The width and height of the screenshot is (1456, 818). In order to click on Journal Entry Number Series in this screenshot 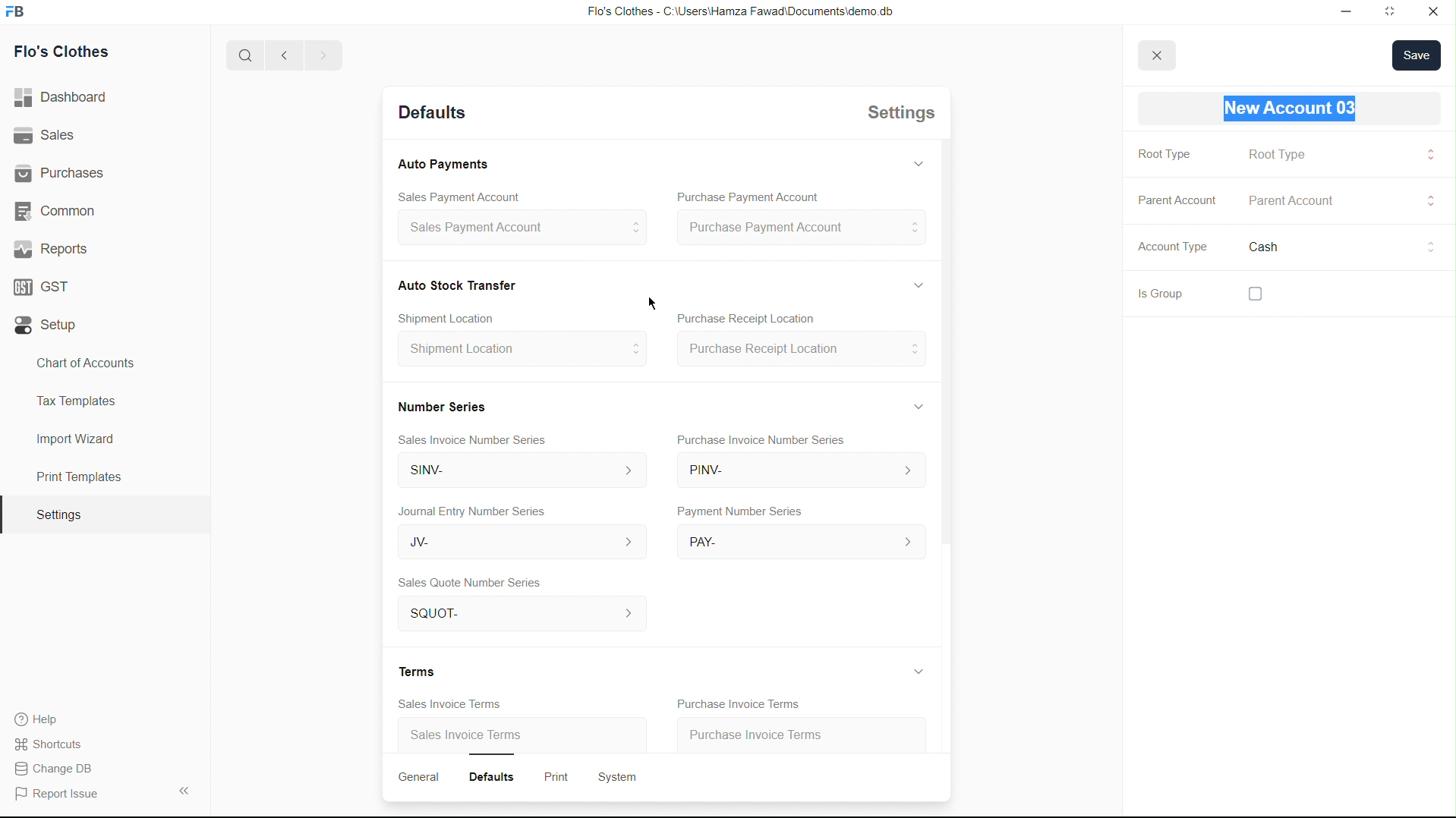, I will do `click(474, 508)`.